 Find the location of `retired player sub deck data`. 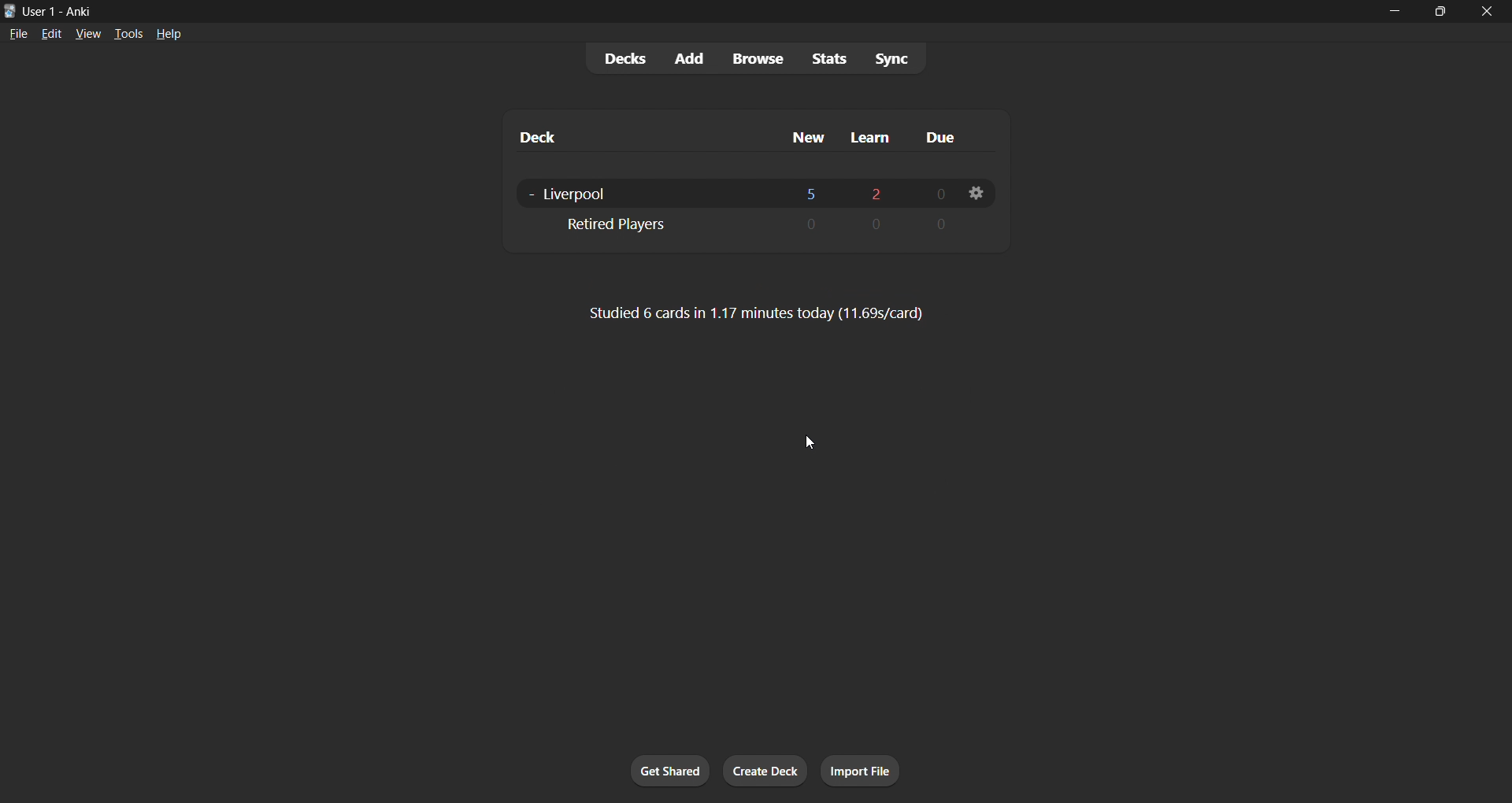

retired player sub deck data is located at coordinates (761, 225).